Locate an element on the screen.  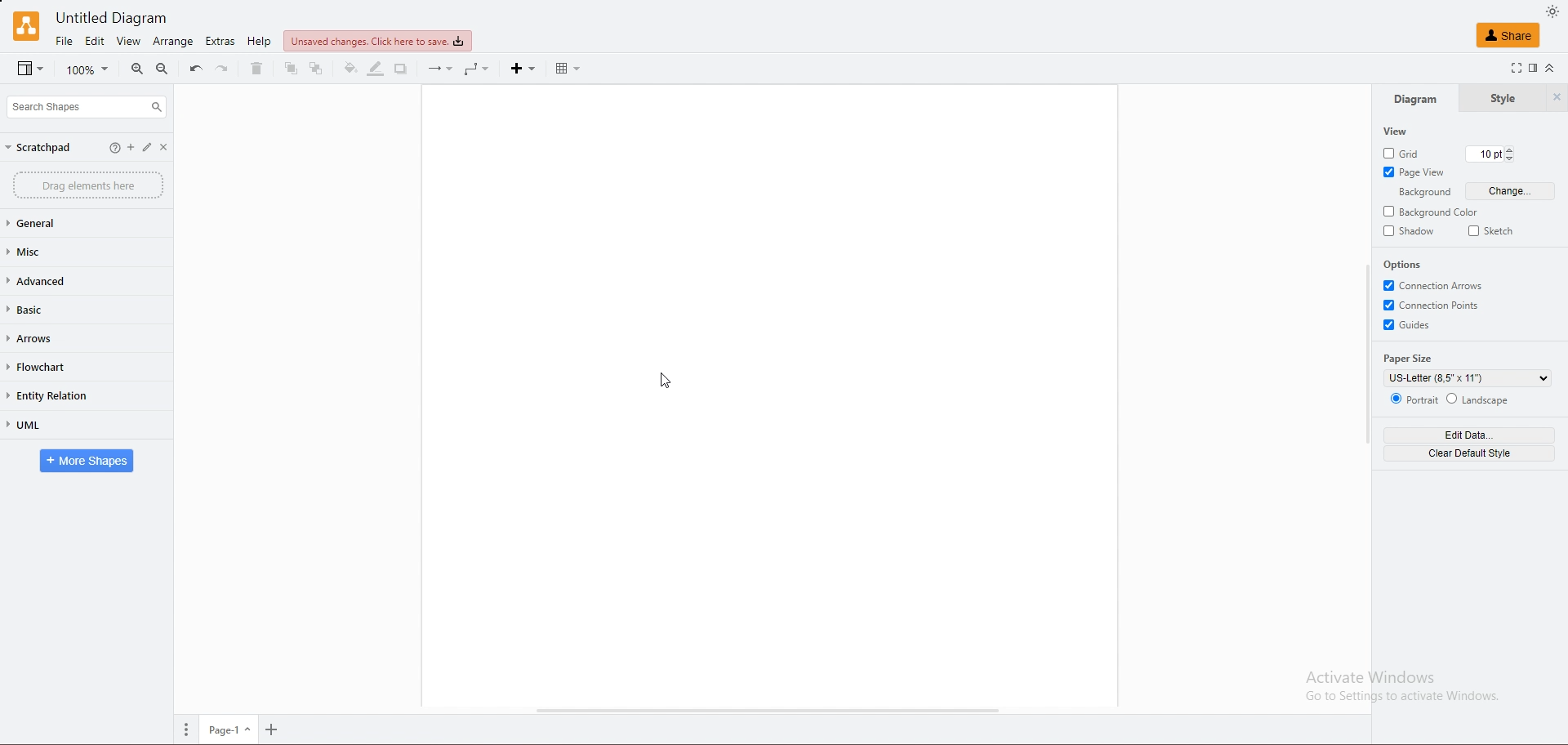
connection points is located at coordinates (1437, 305).